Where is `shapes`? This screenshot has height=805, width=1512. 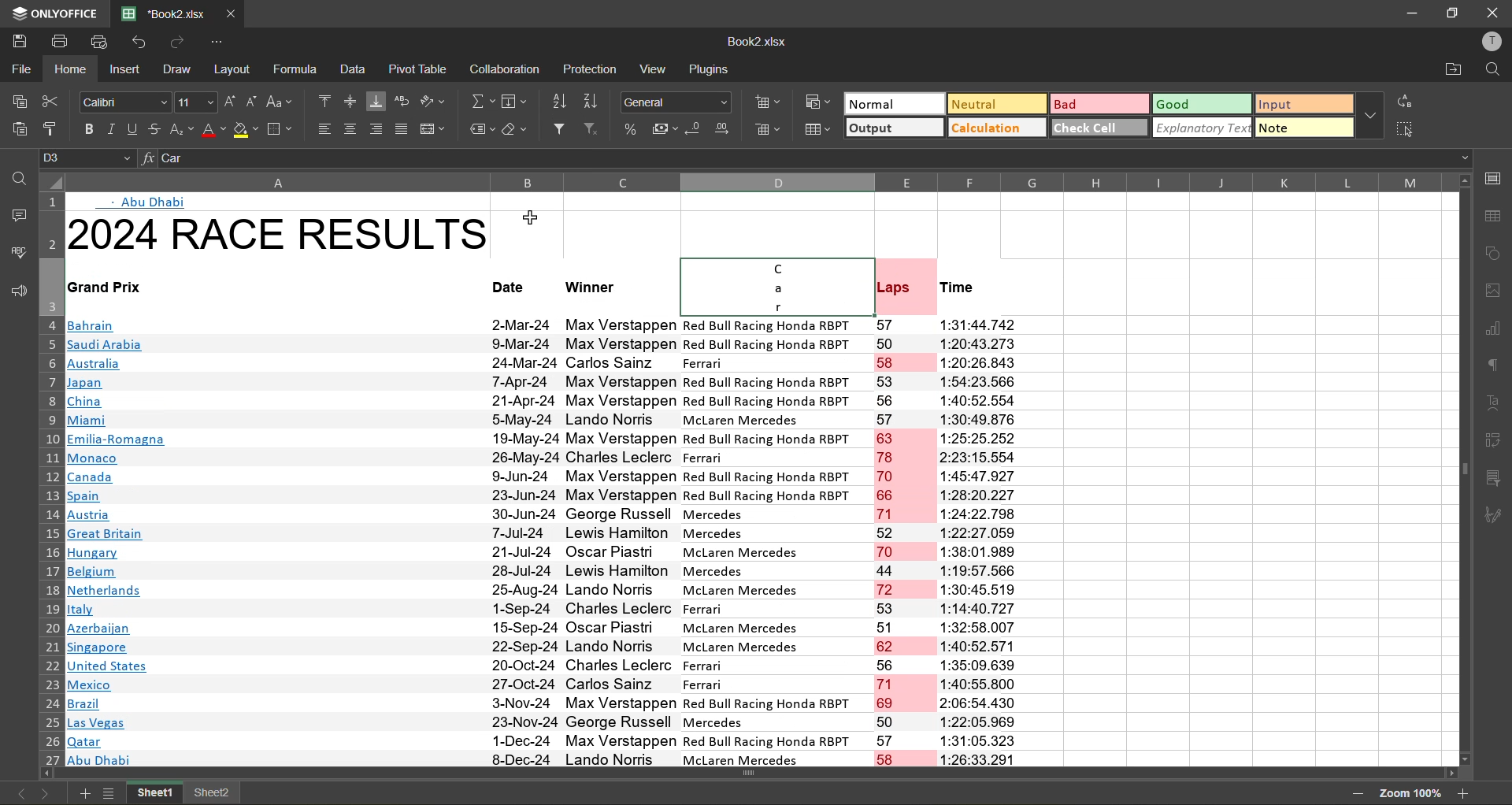
shapes is located at coordinates (1498, 252).